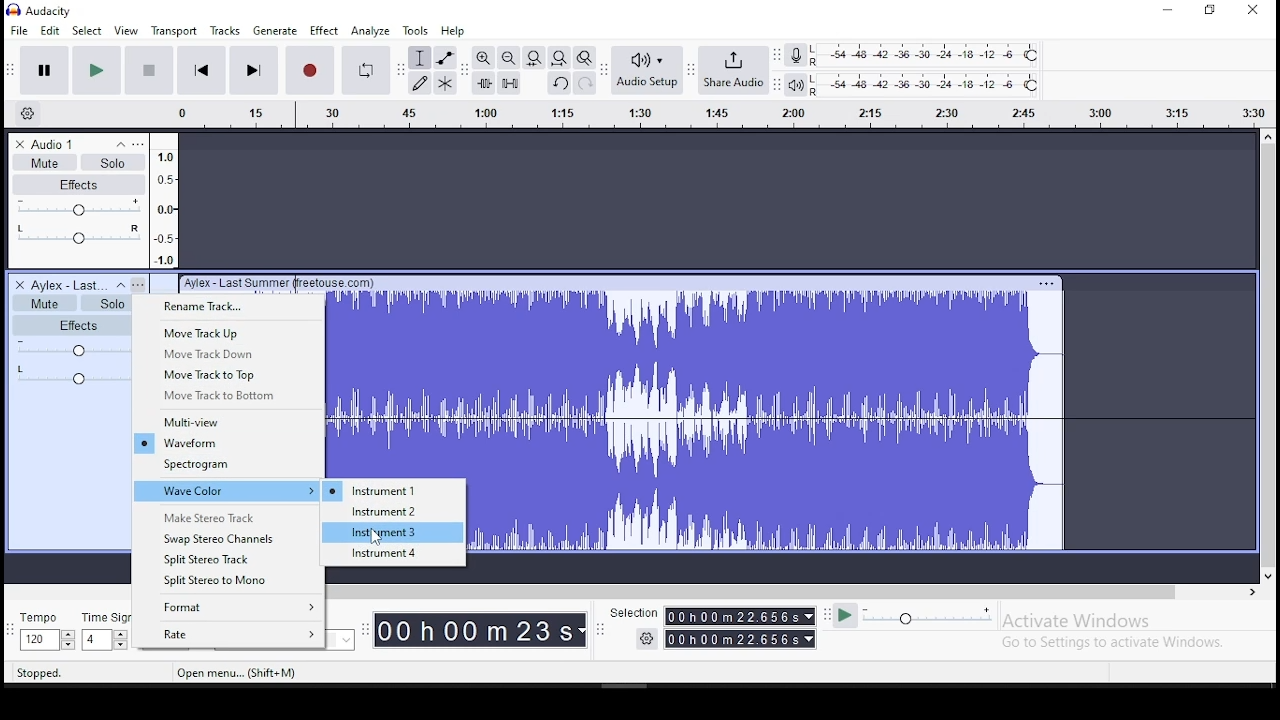 This screenshot has width=1280, height=720. I want to click on format, so click(228, 609).